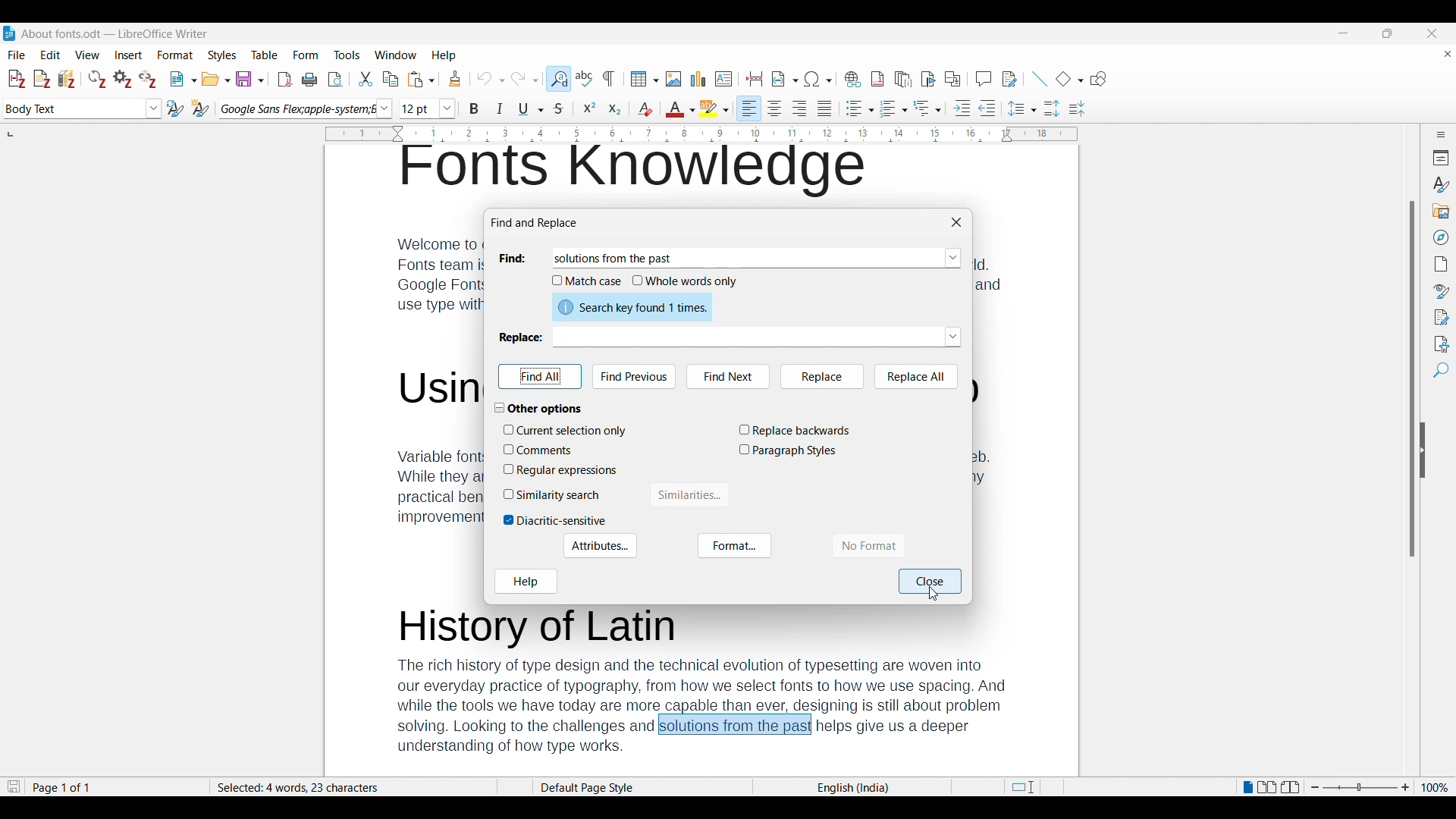  Describe the element at coordinates (1053, 108) in the screenshot. I see `Increase paragraph spacing` at that location.